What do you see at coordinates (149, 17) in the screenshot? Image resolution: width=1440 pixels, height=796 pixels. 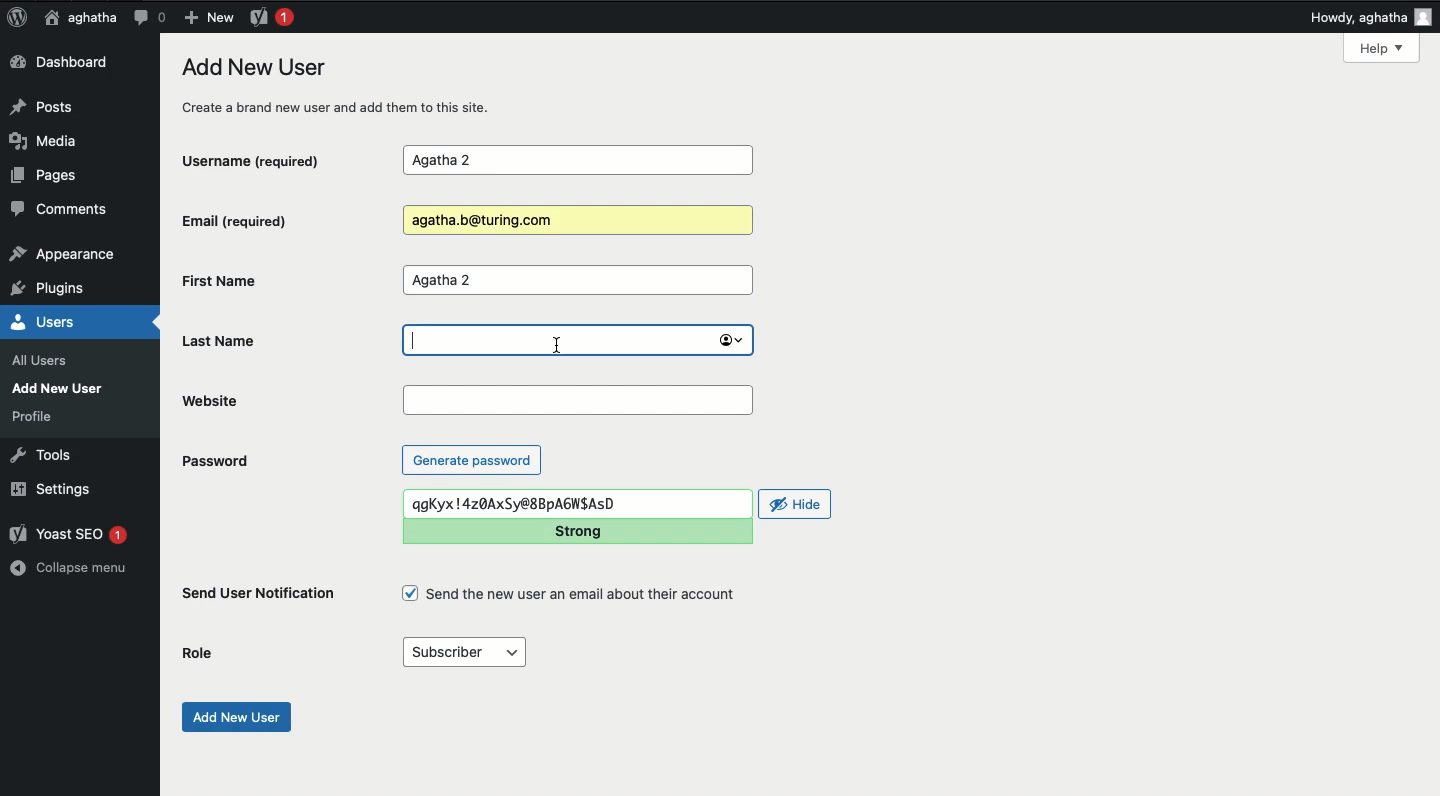 I see `Comment` at bounding box center [149, 17].